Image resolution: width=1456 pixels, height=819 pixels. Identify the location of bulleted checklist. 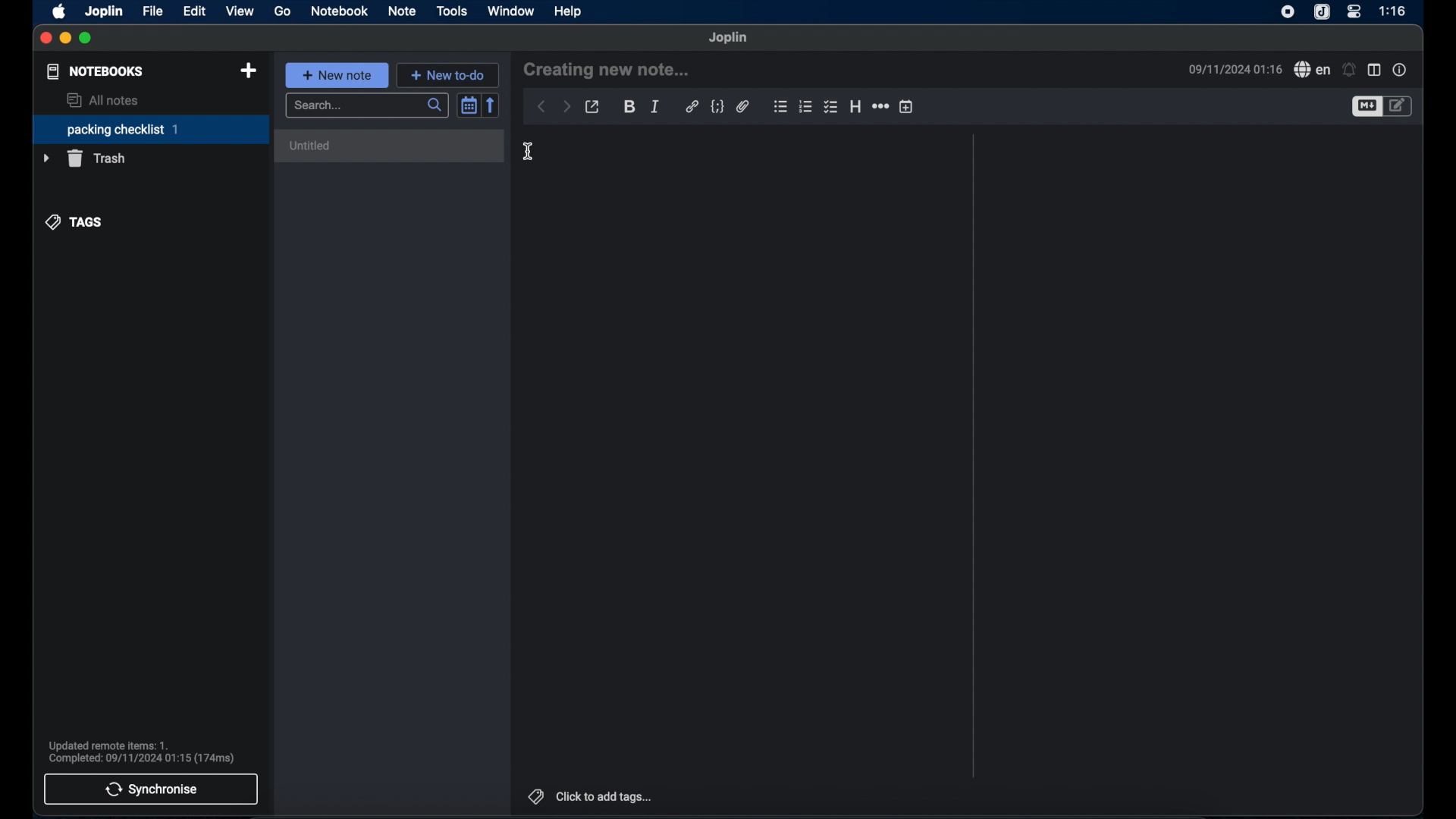
(780, 108).